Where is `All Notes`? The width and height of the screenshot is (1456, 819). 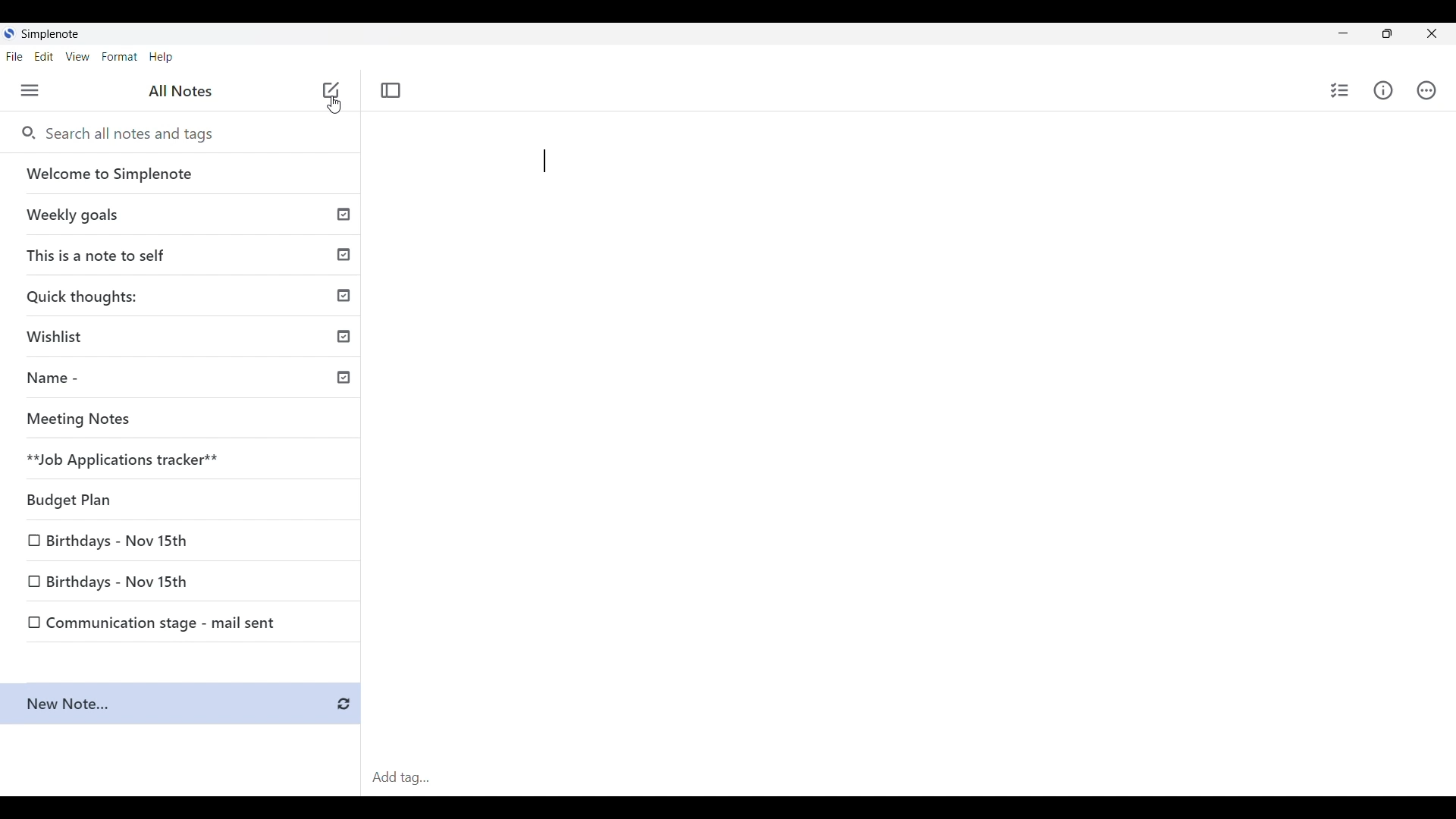
All Notes is located at coordinates (180, 92).